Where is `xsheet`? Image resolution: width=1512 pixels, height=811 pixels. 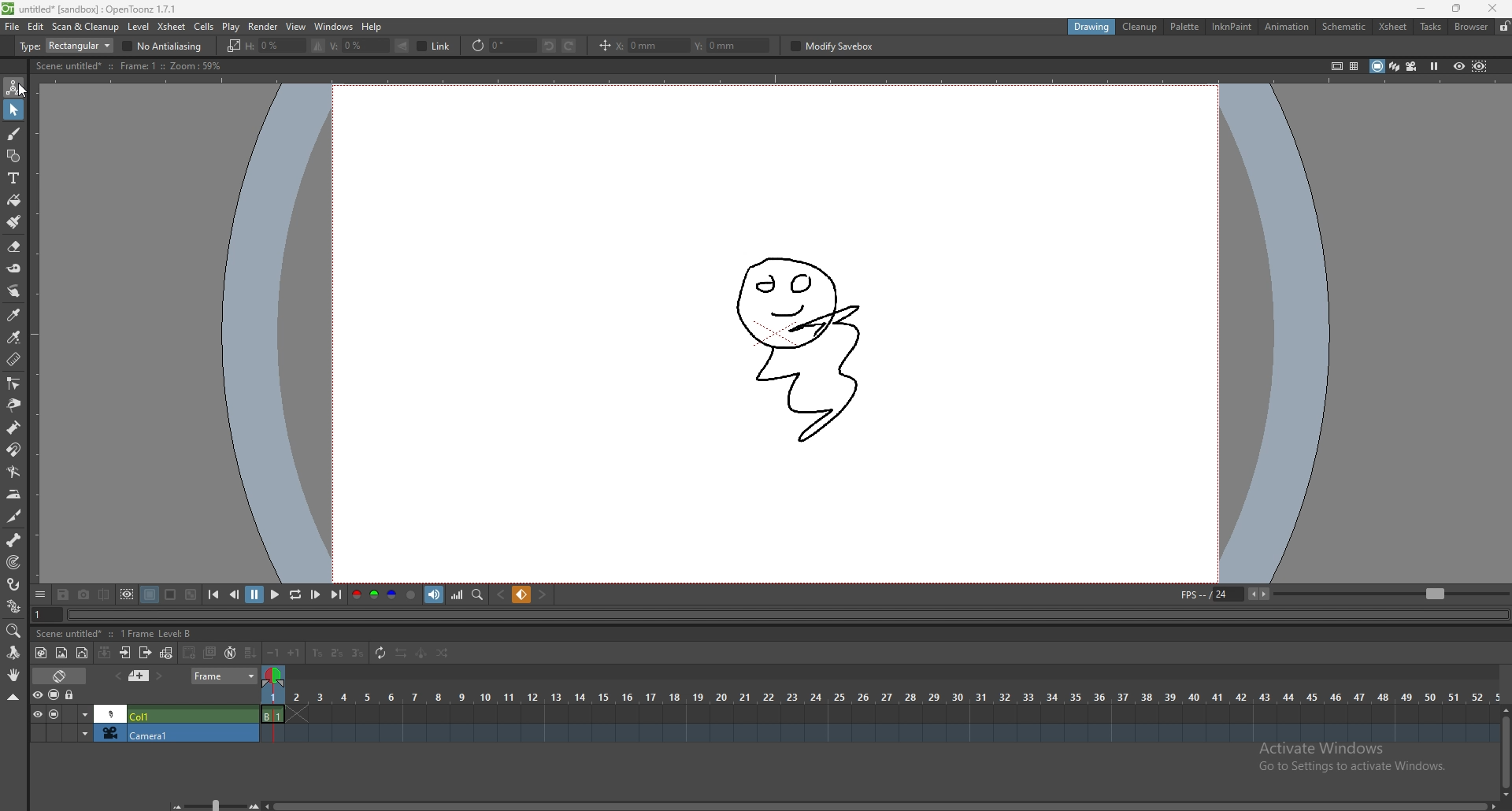 xsheet is located at coordinates (1394, 27).